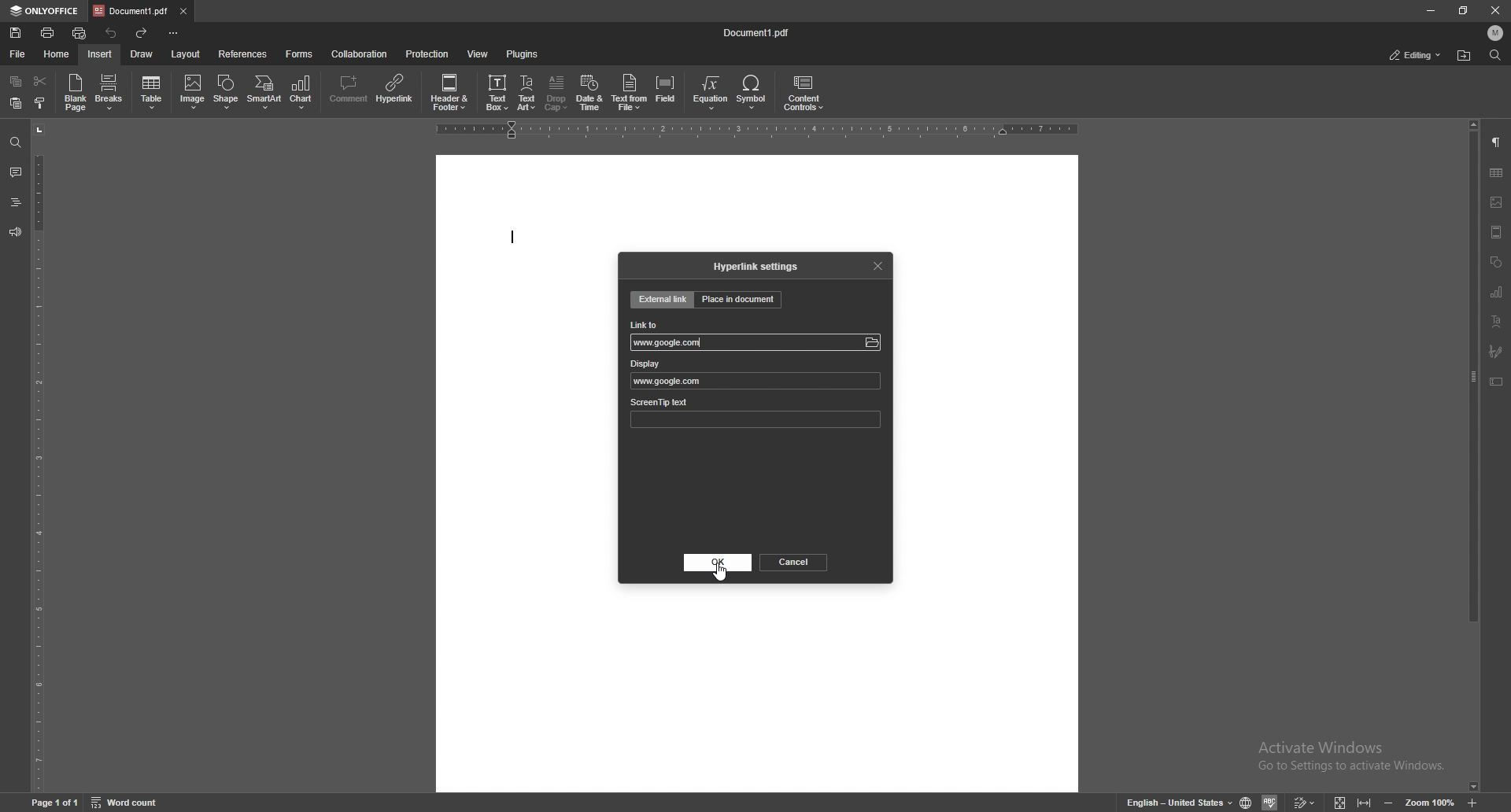  What do you see at coordinates (1473, 803) in the screenshot?
I see `zoom in` at bounding box center [1473, 803].